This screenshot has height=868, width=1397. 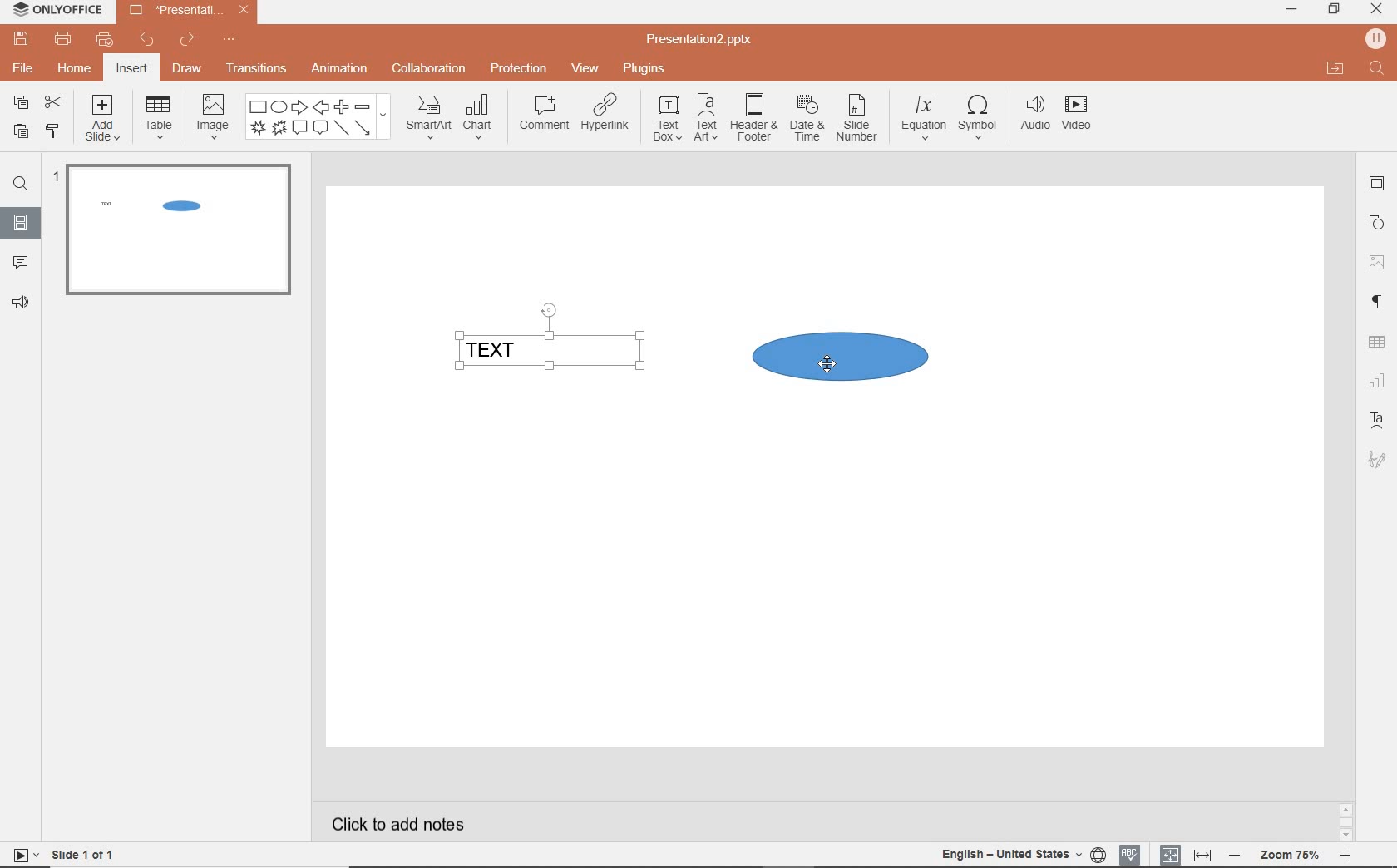 I want to click on customize quick access toolbar, so click(x=228, y=40).